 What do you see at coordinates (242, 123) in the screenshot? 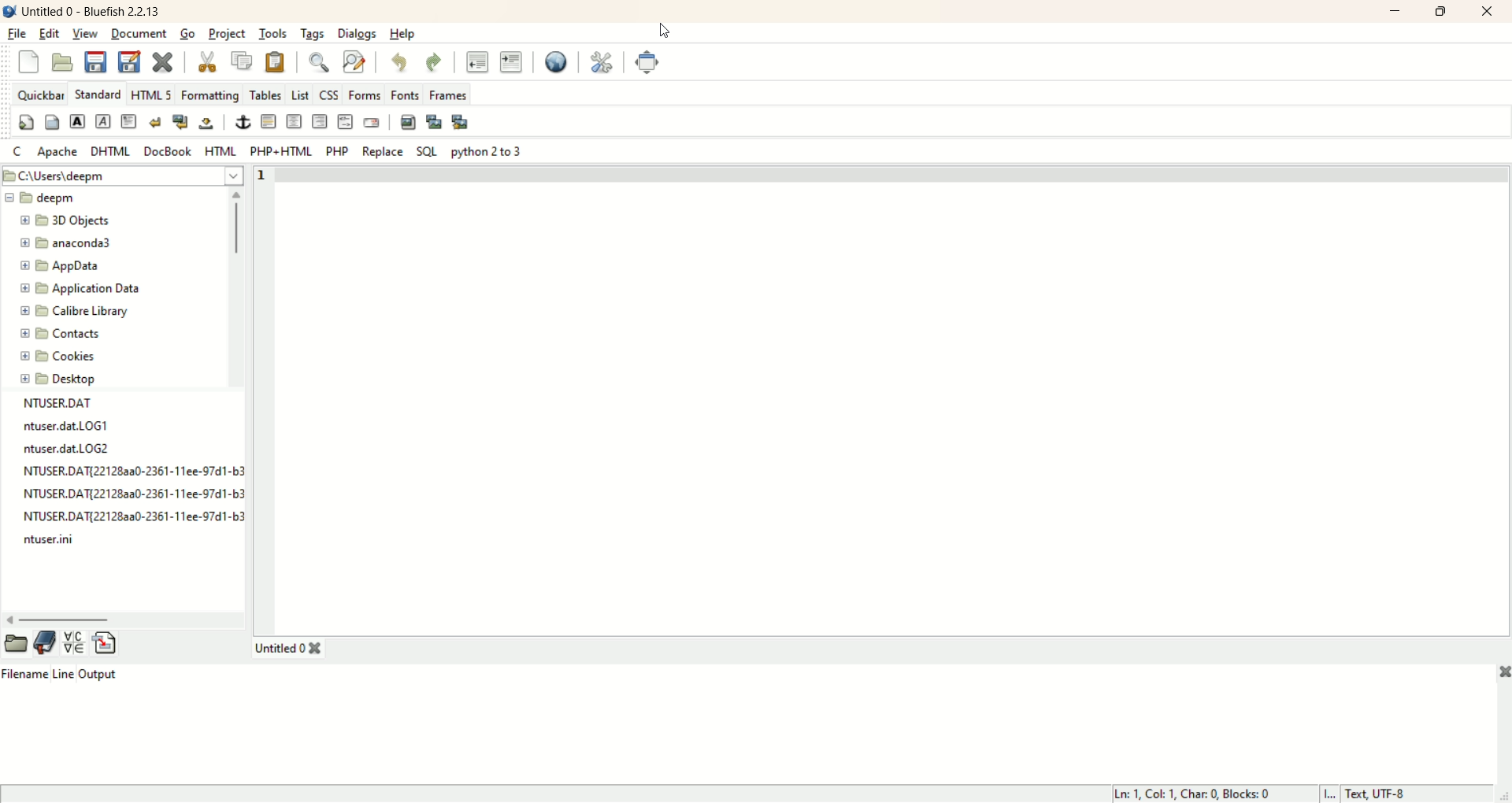
I see `anchor/hyperlink` at bounding box center [242, 123].